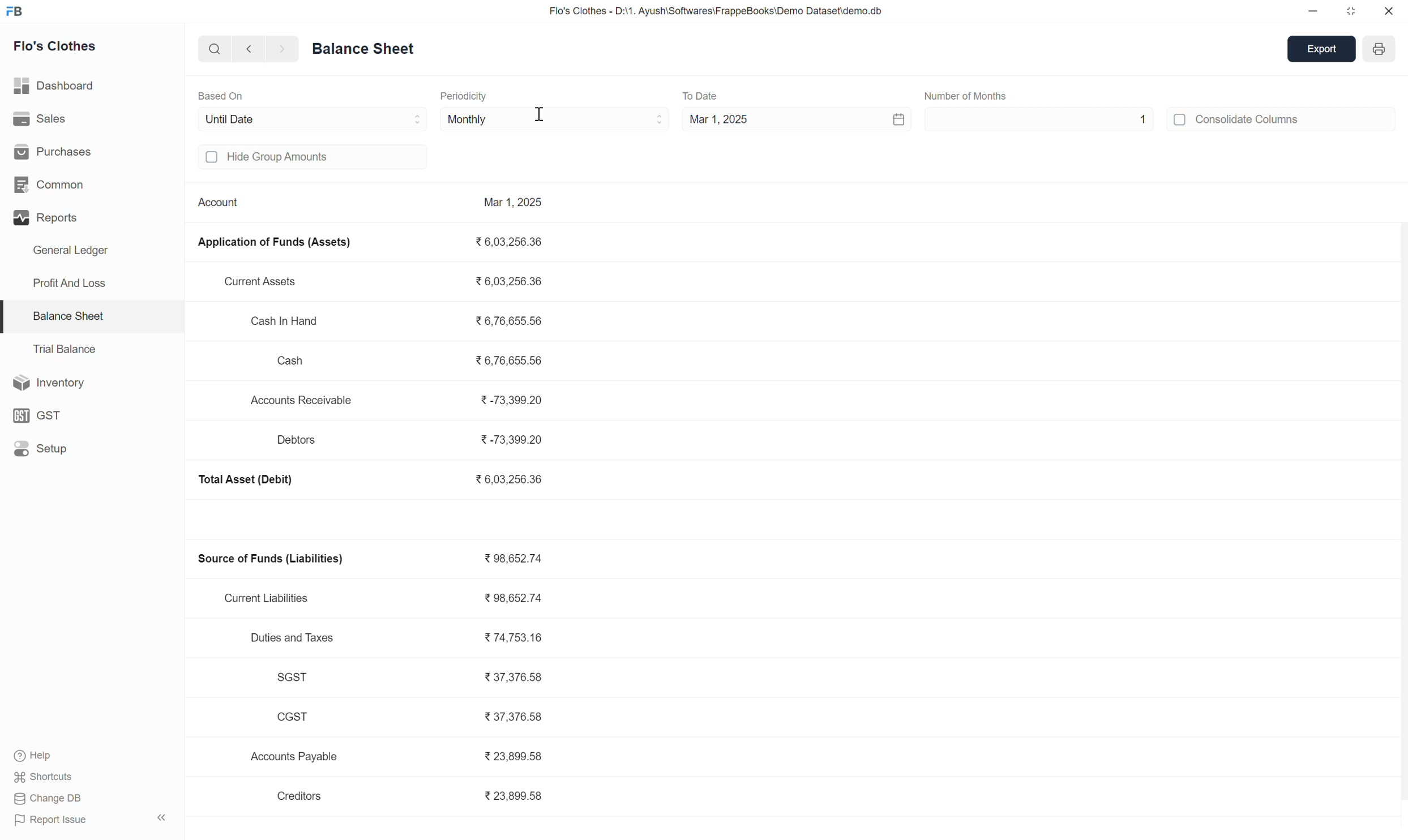 The width and height of the screenshot is (1408, 840). What do you see at coordinates (77, 251) in the screenshot?
I see `General Ledger` at bounding box center [77, 251].